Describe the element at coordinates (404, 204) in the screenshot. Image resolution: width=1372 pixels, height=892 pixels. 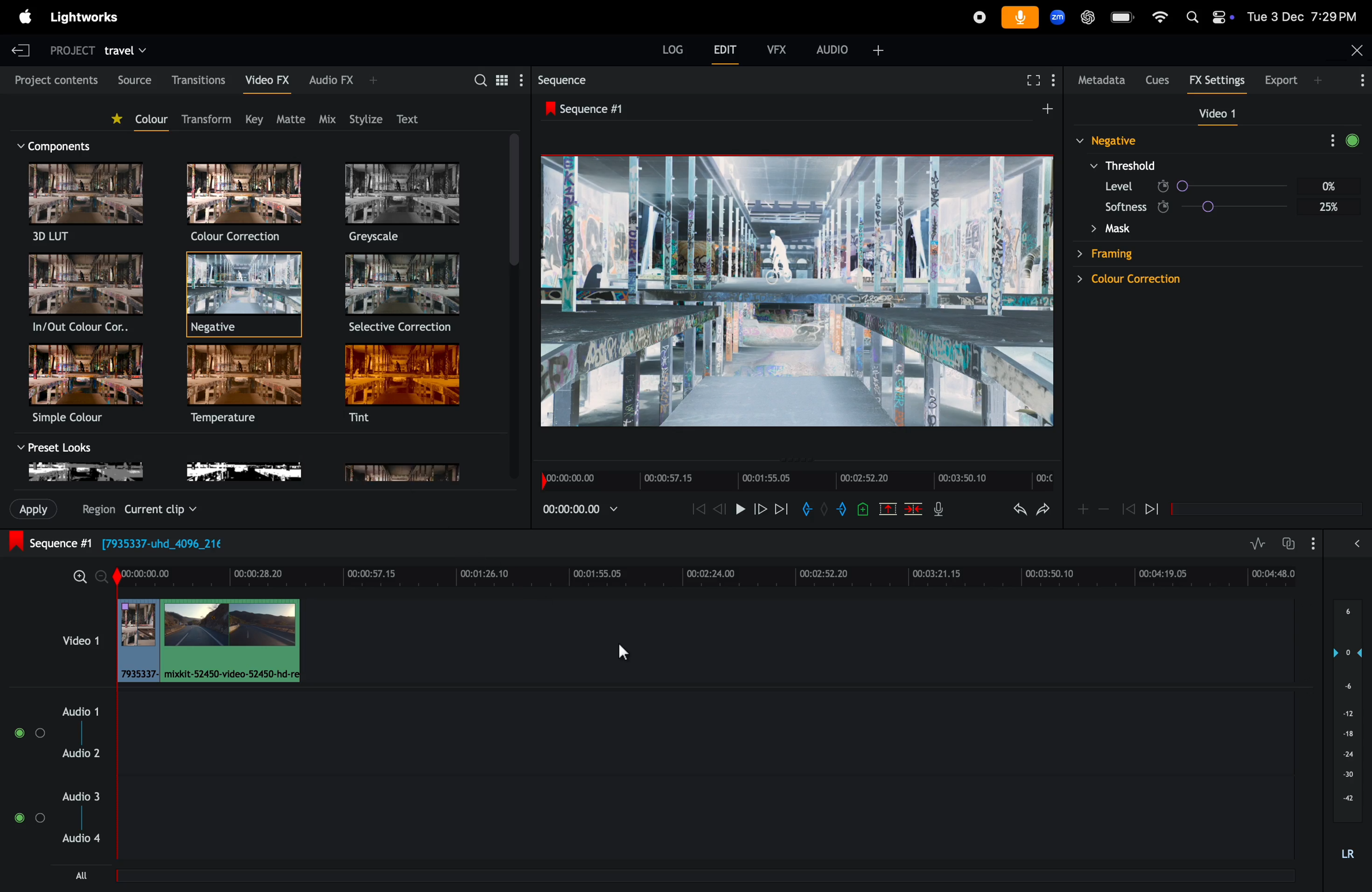
I see `Greyscale` at that location.